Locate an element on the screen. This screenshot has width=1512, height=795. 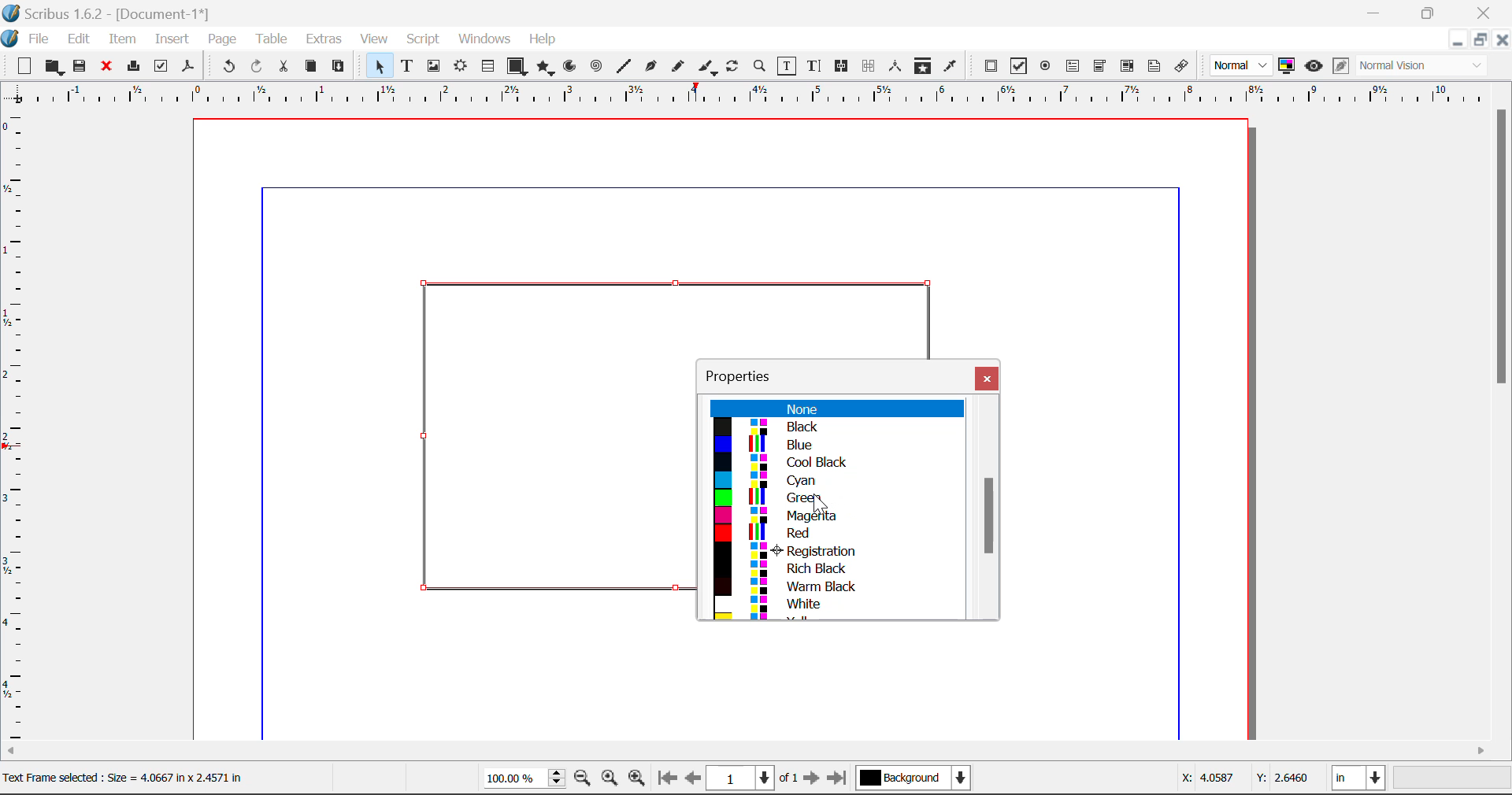
Previous Page is located at coordinates (695, 781).